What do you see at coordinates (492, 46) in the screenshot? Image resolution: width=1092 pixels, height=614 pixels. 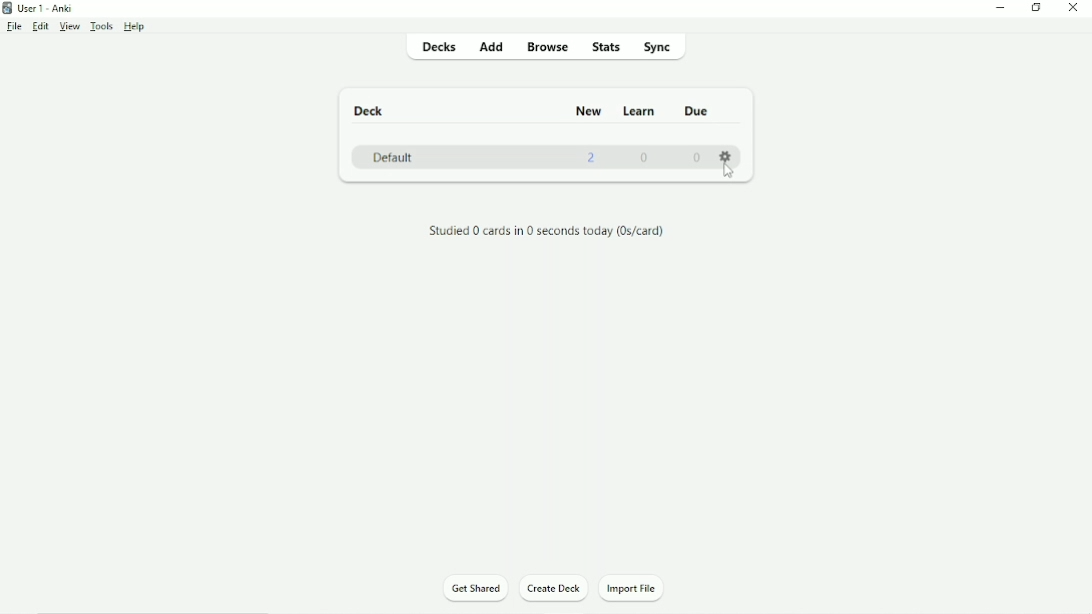 I see `Add` at bounding box center [492, 46].